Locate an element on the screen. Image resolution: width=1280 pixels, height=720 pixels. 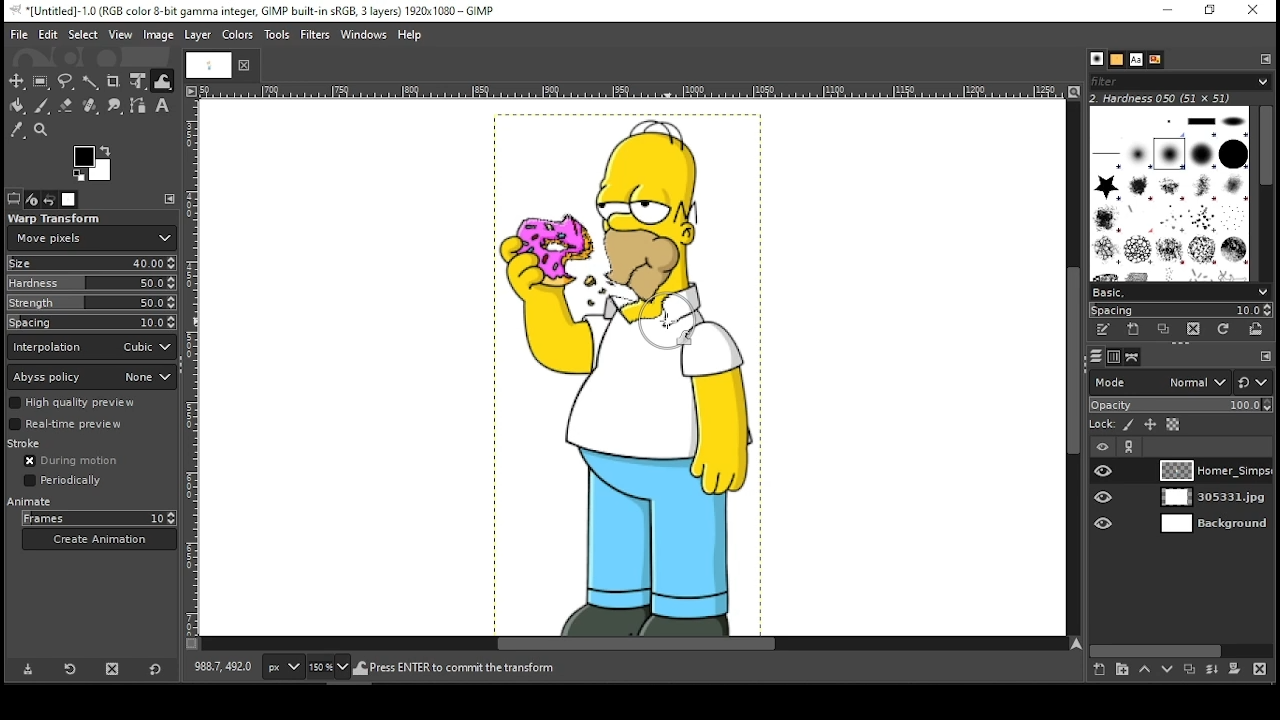
painbucket tool is located at coordinates (16, 106).